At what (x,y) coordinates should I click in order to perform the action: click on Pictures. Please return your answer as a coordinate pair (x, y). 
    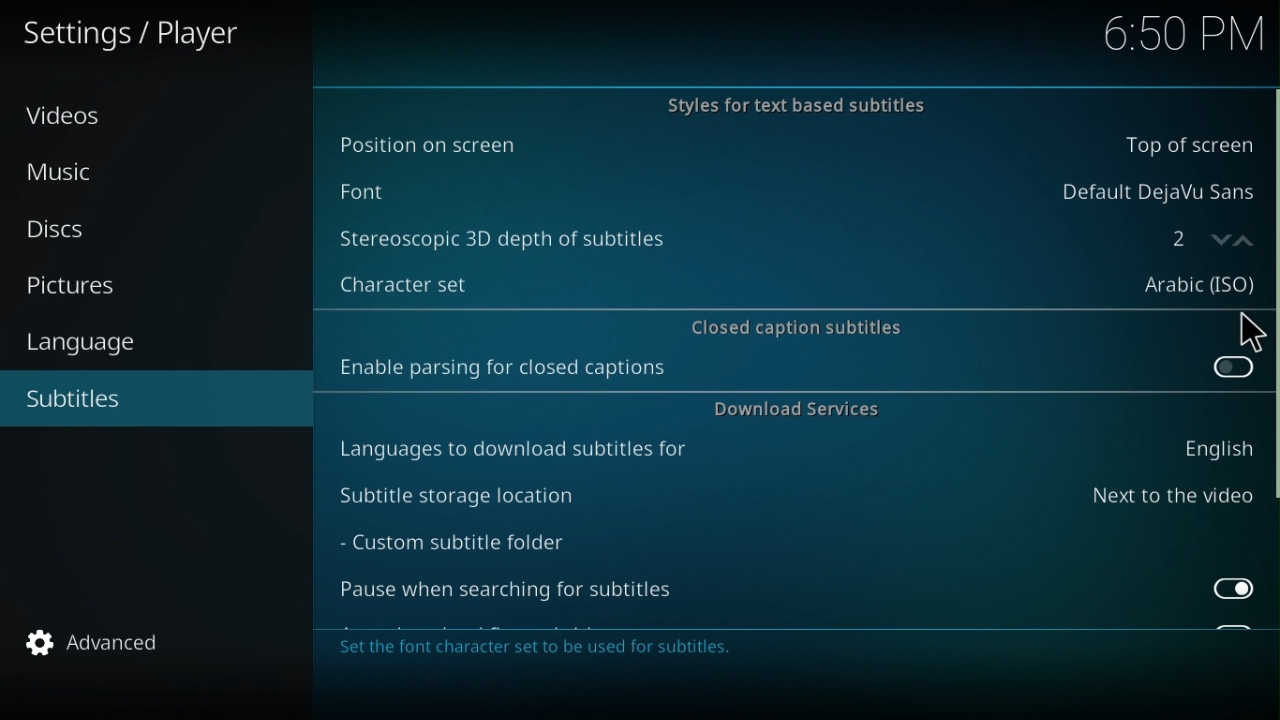
    Looking at the image, I should click on (75, 284).